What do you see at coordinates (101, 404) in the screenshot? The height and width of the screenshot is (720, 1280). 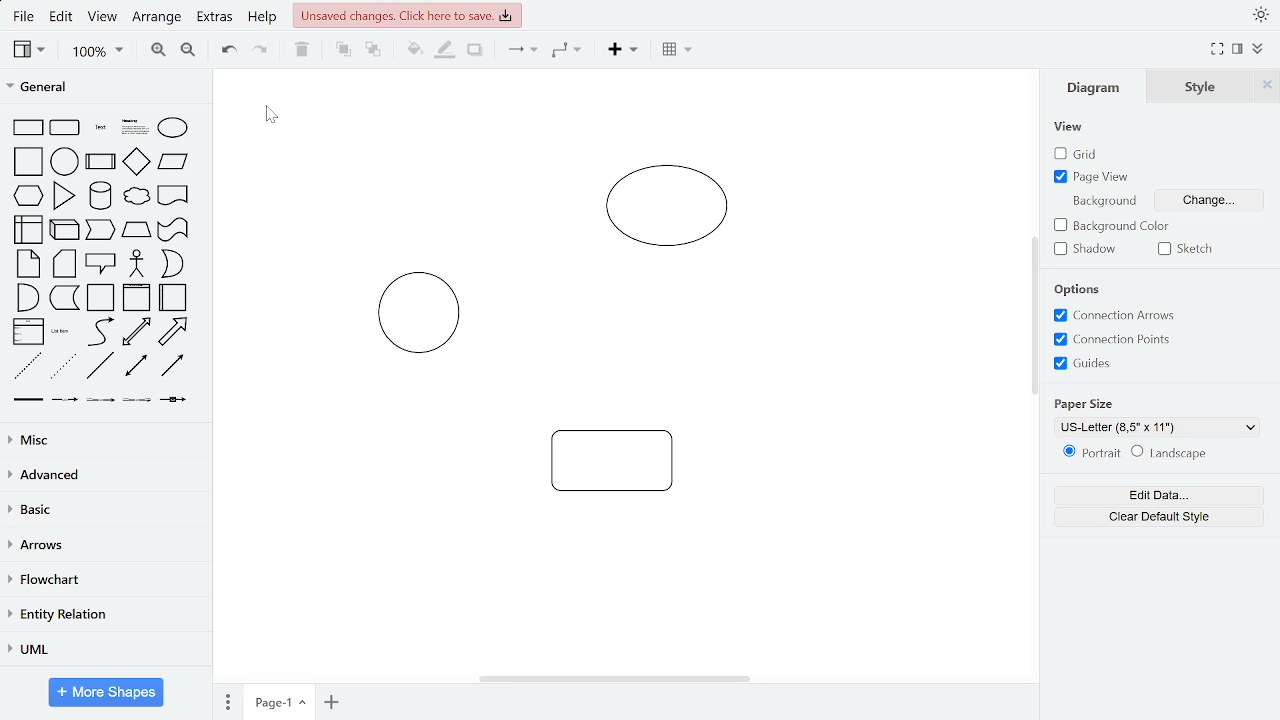 I see `Connector with 2 label` at bounding box center [101, 404].